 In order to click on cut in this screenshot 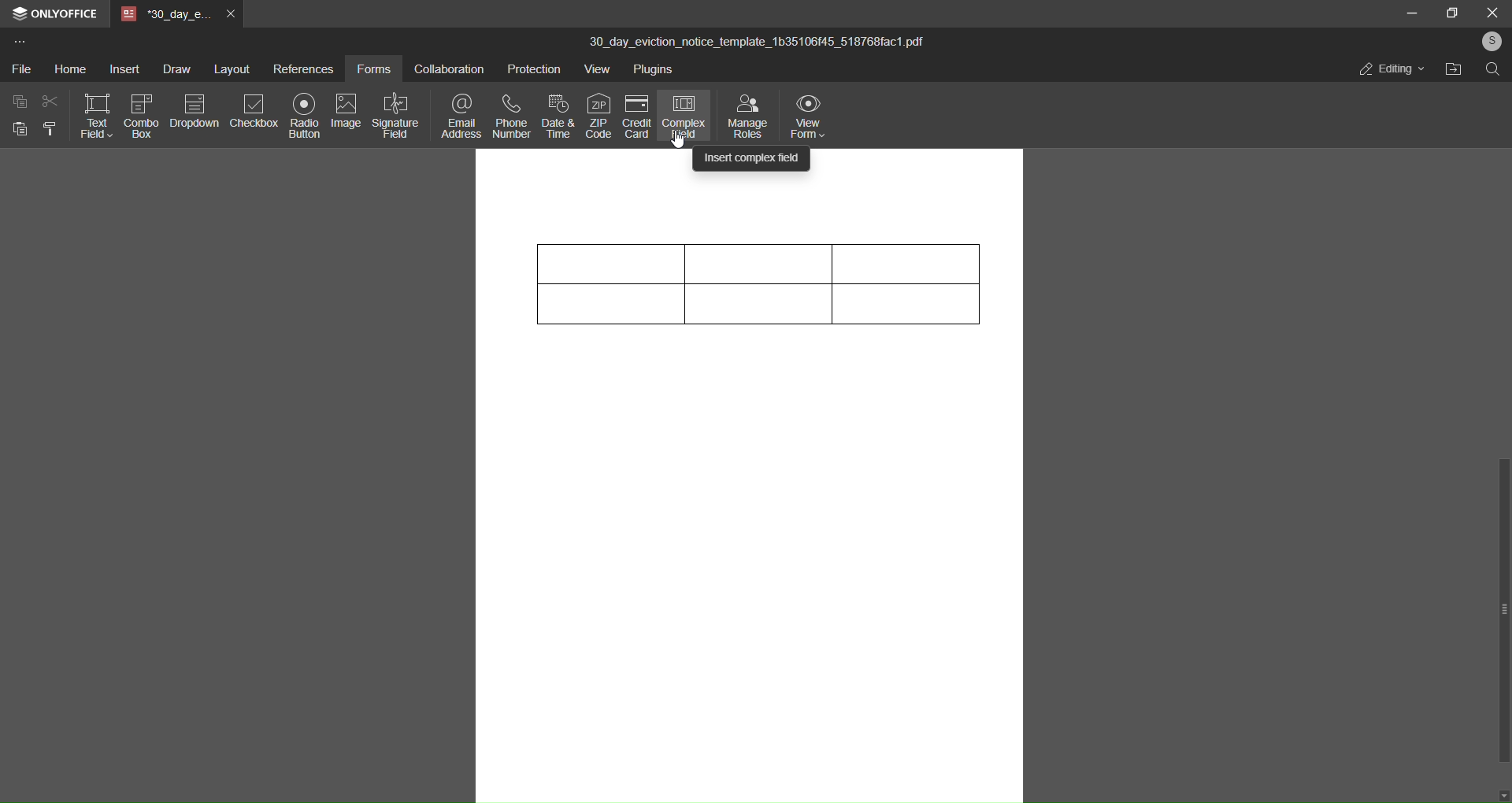, I will do `click(49, 102)`.